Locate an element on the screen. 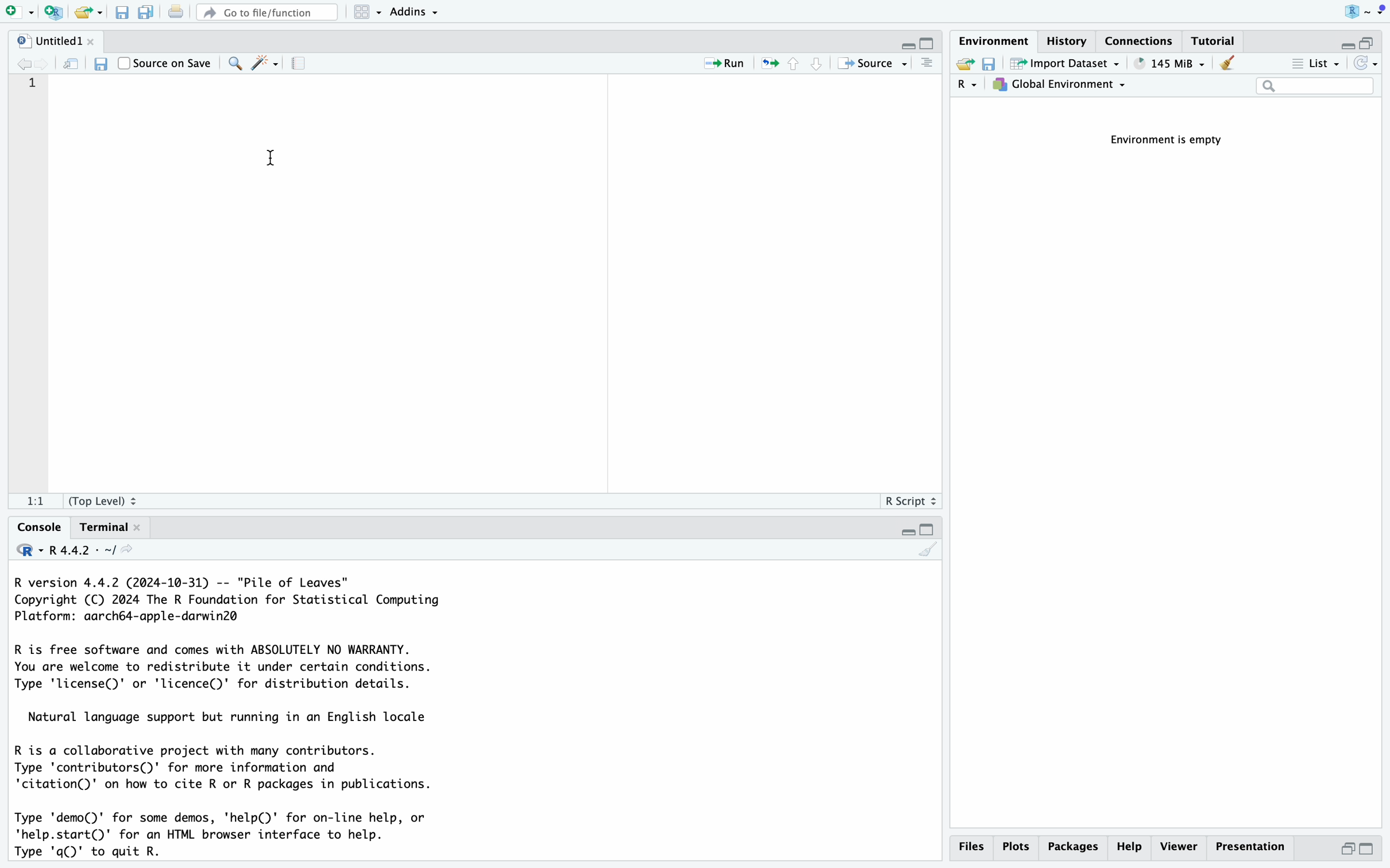 This screenshot has height=868, width=1390. open an existing file is located at coordinates (89, 12).